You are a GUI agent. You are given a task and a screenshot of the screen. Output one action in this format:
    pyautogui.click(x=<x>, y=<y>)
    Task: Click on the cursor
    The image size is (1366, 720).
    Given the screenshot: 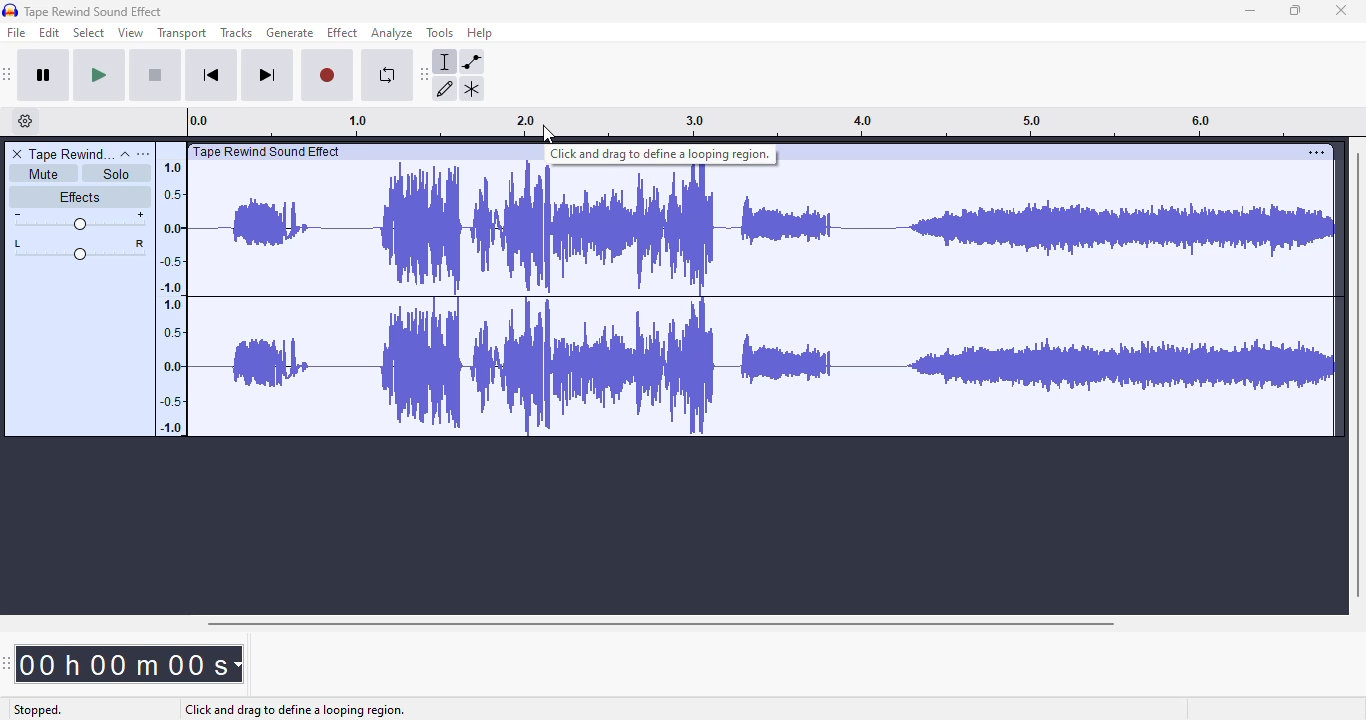 What is the action you would take?
    pyautogui.click(x=546, y=134)
    